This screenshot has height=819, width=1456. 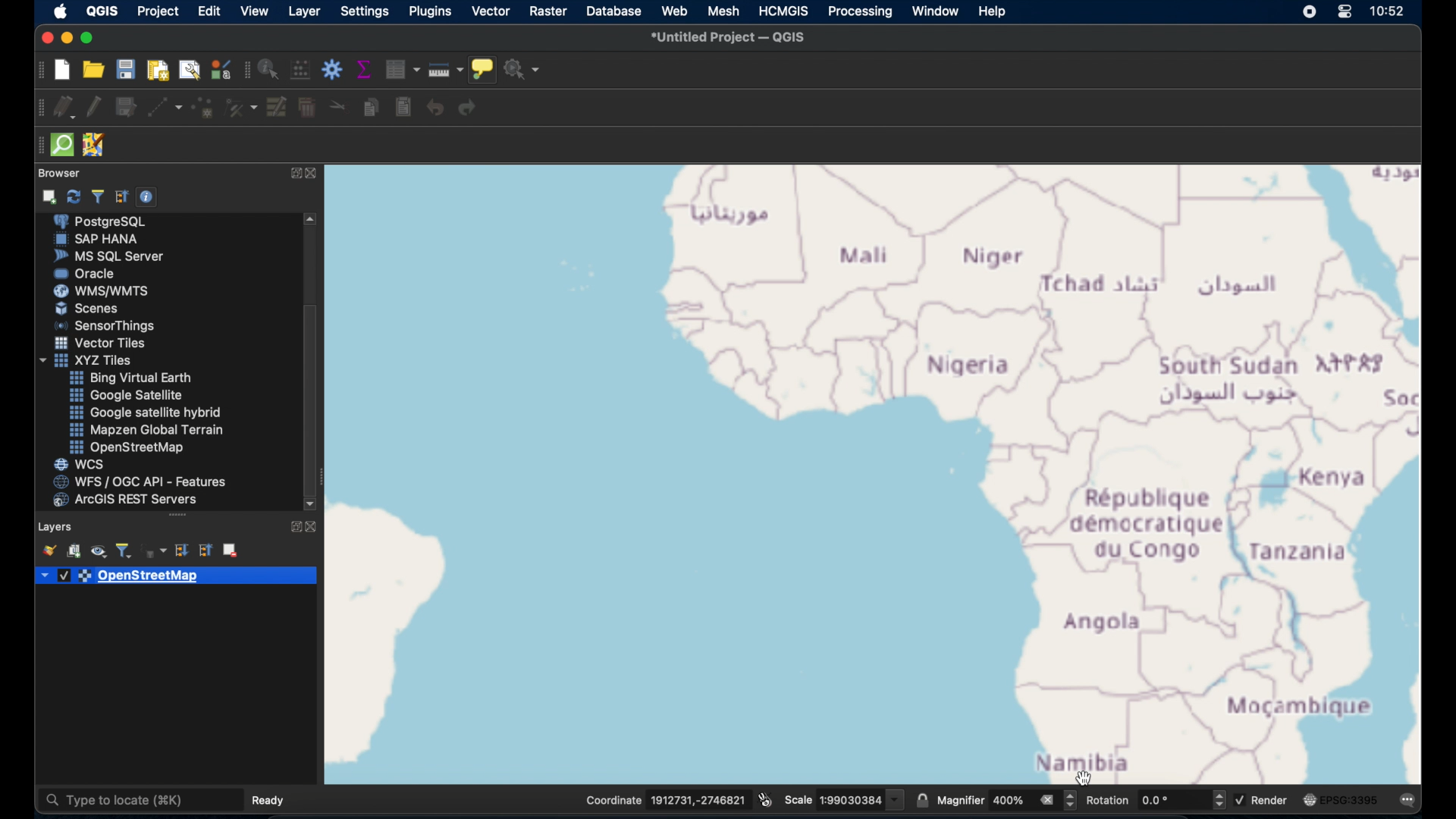 I want to click on open project, so click(x=92, y=71).